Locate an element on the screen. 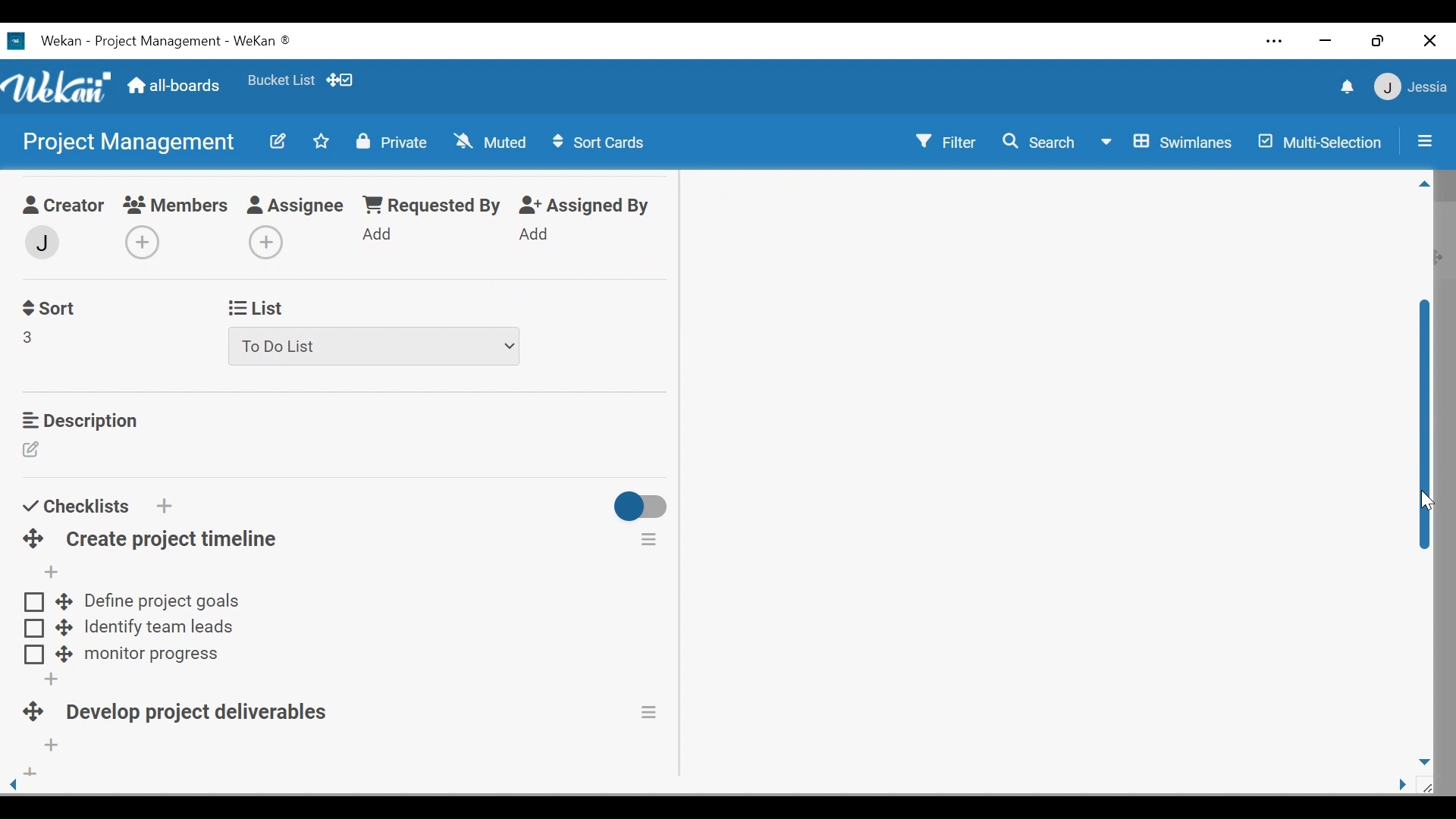  Private is located at coordinates (391, 143).